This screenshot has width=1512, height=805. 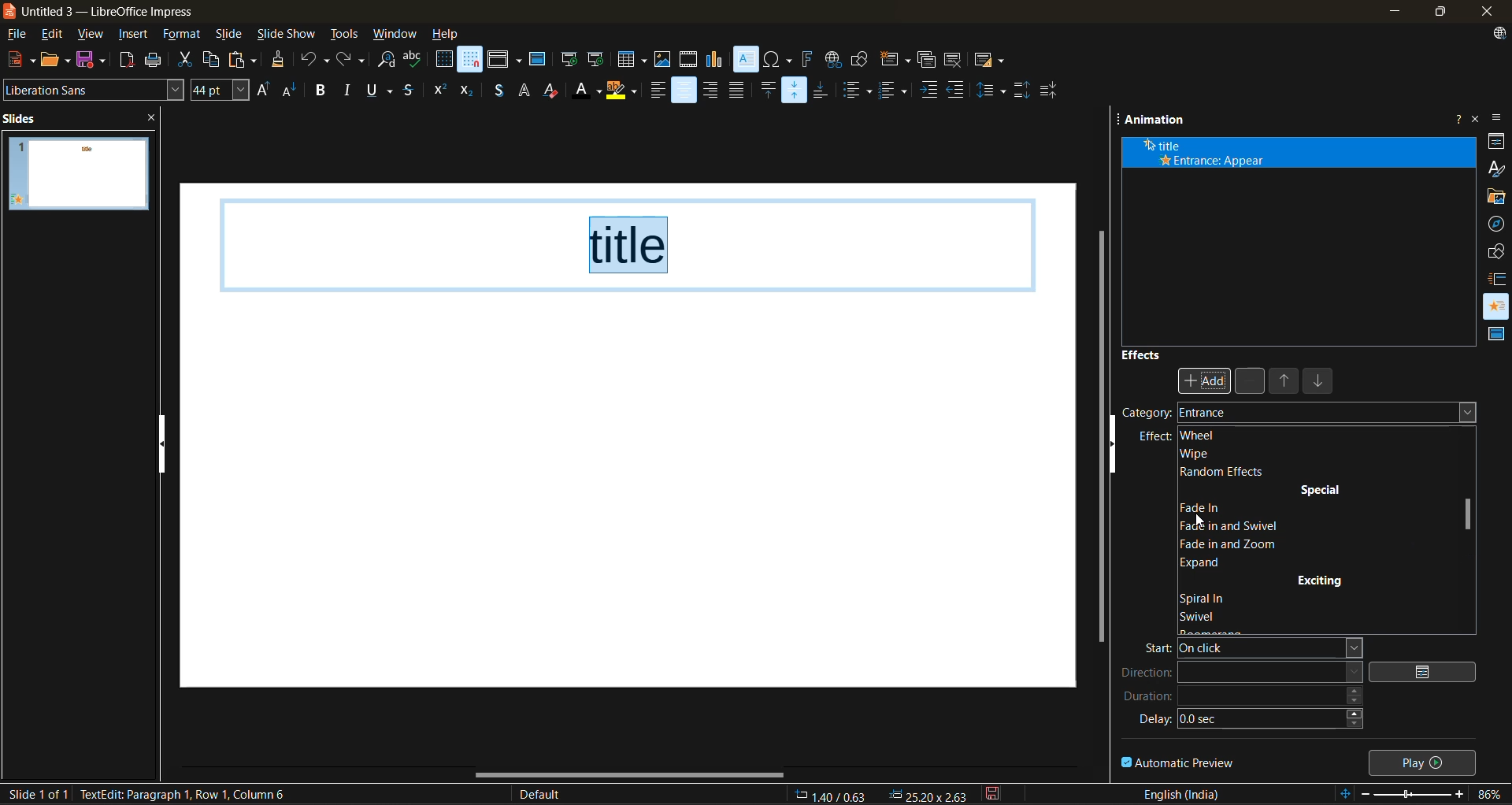 I want to click on fade in, so click(x=1208, y=504).